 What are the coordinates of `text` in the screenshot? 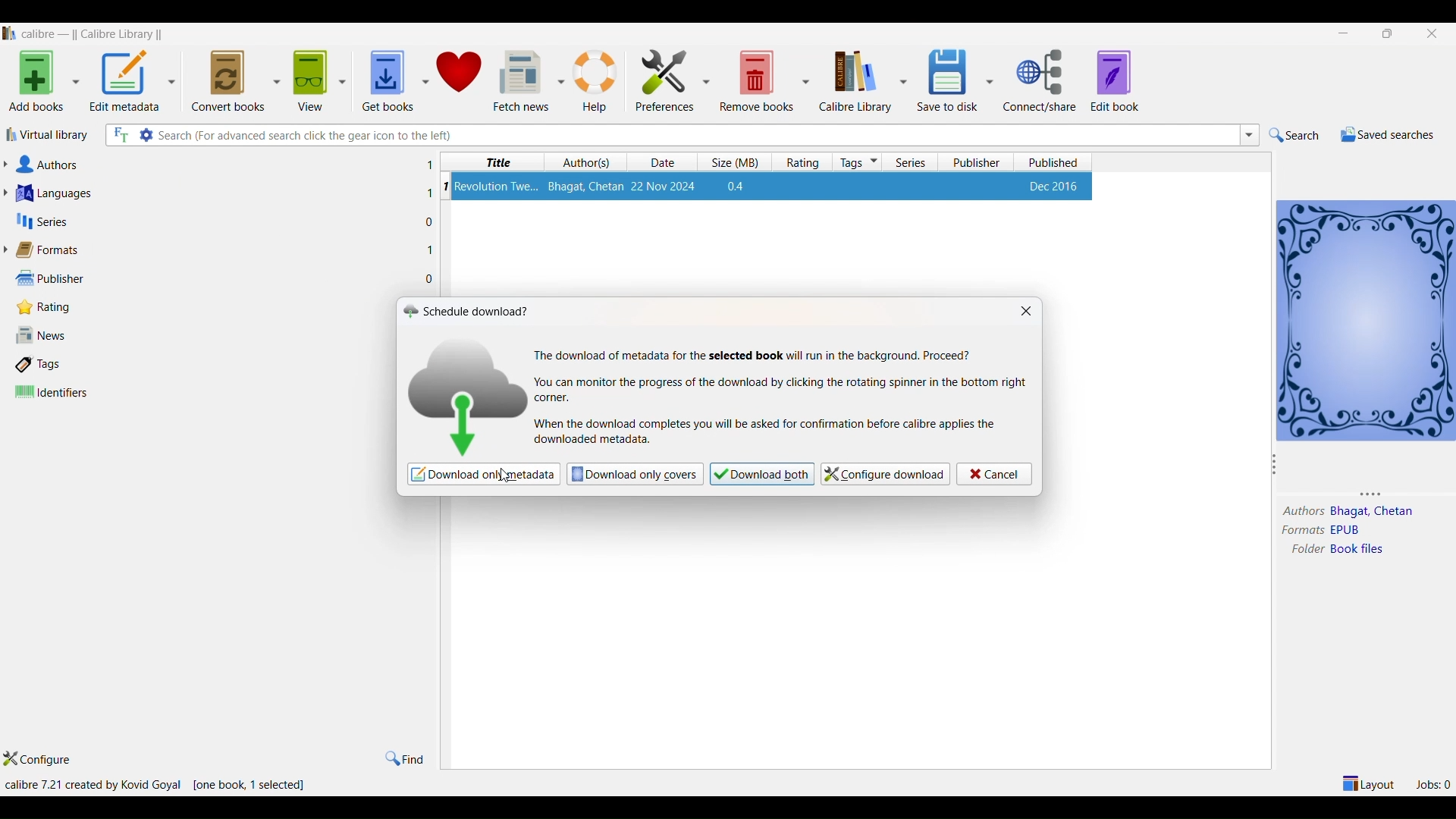 It's located at (754, 356).